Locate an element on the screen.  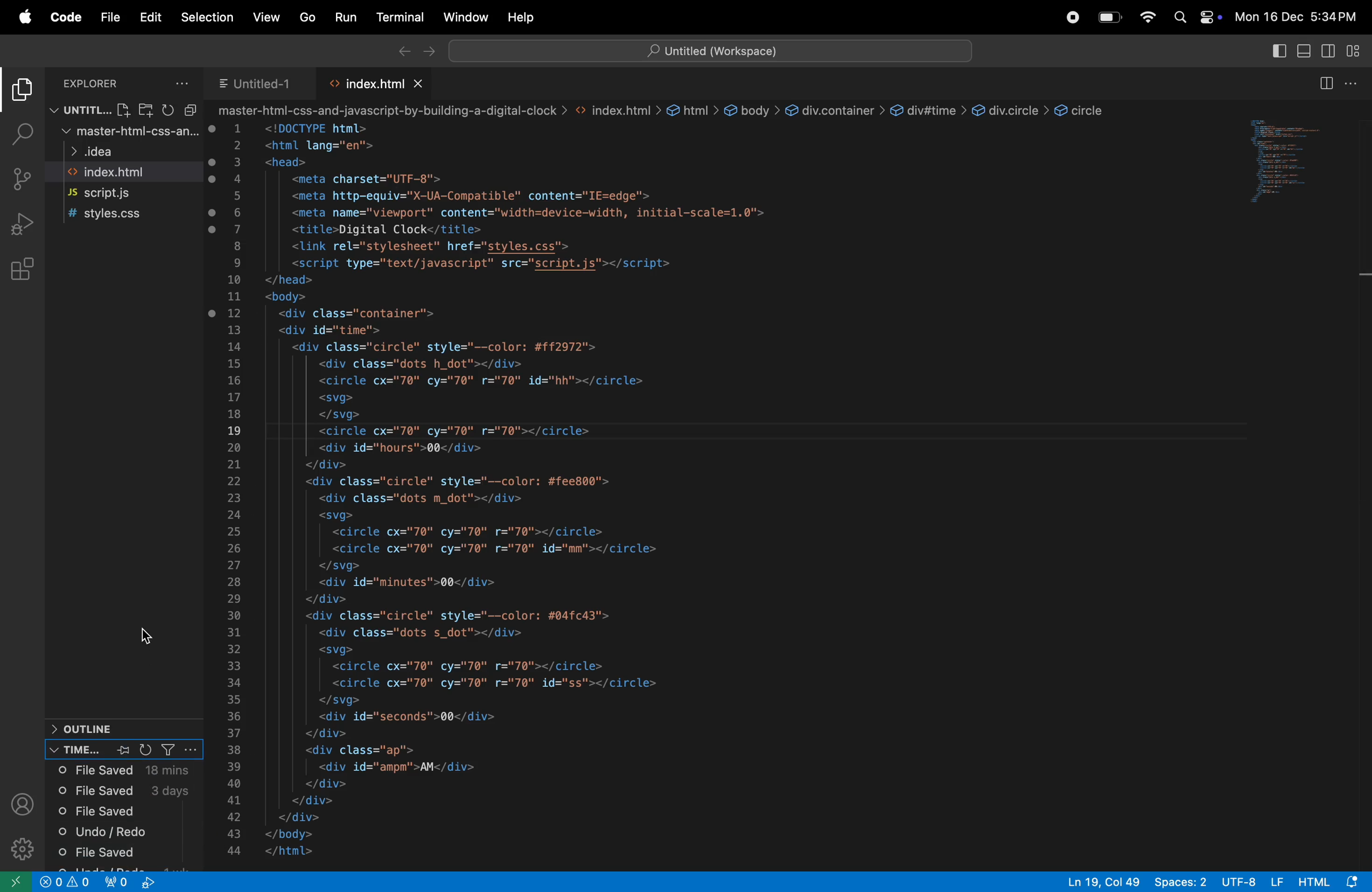
numbers is located at coordinates (235, 490).